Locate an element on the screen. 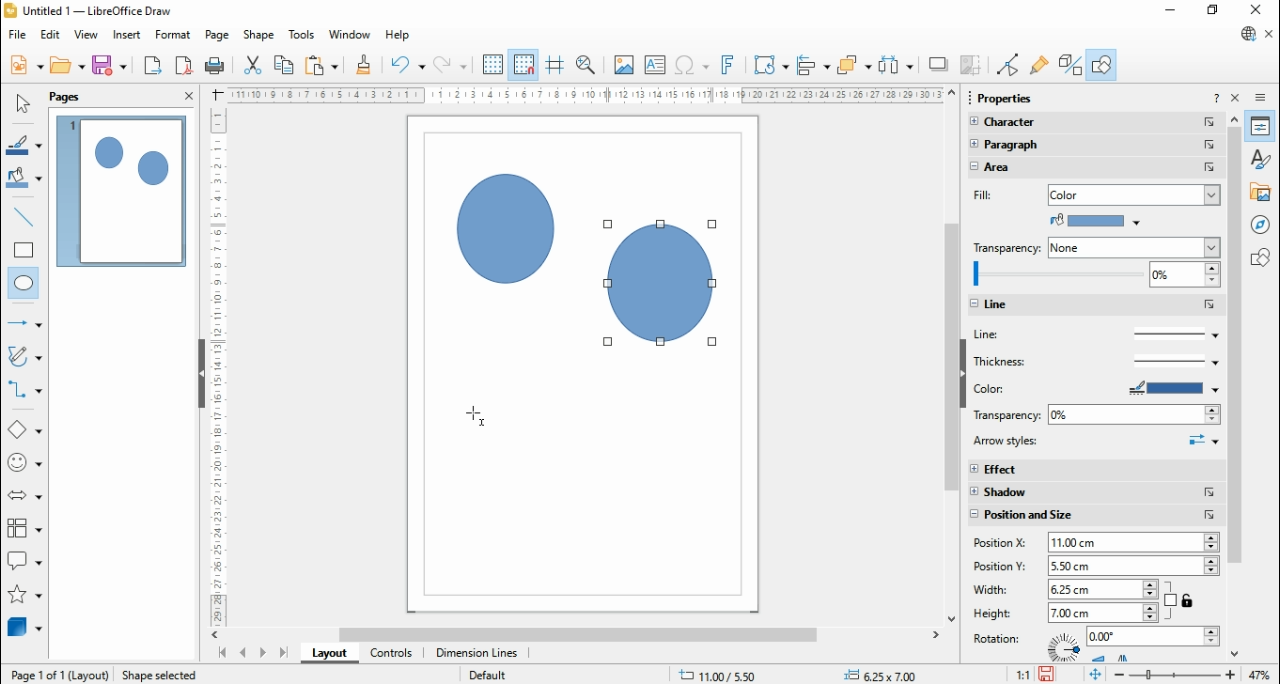  copy is located at coordinates (284, 64).